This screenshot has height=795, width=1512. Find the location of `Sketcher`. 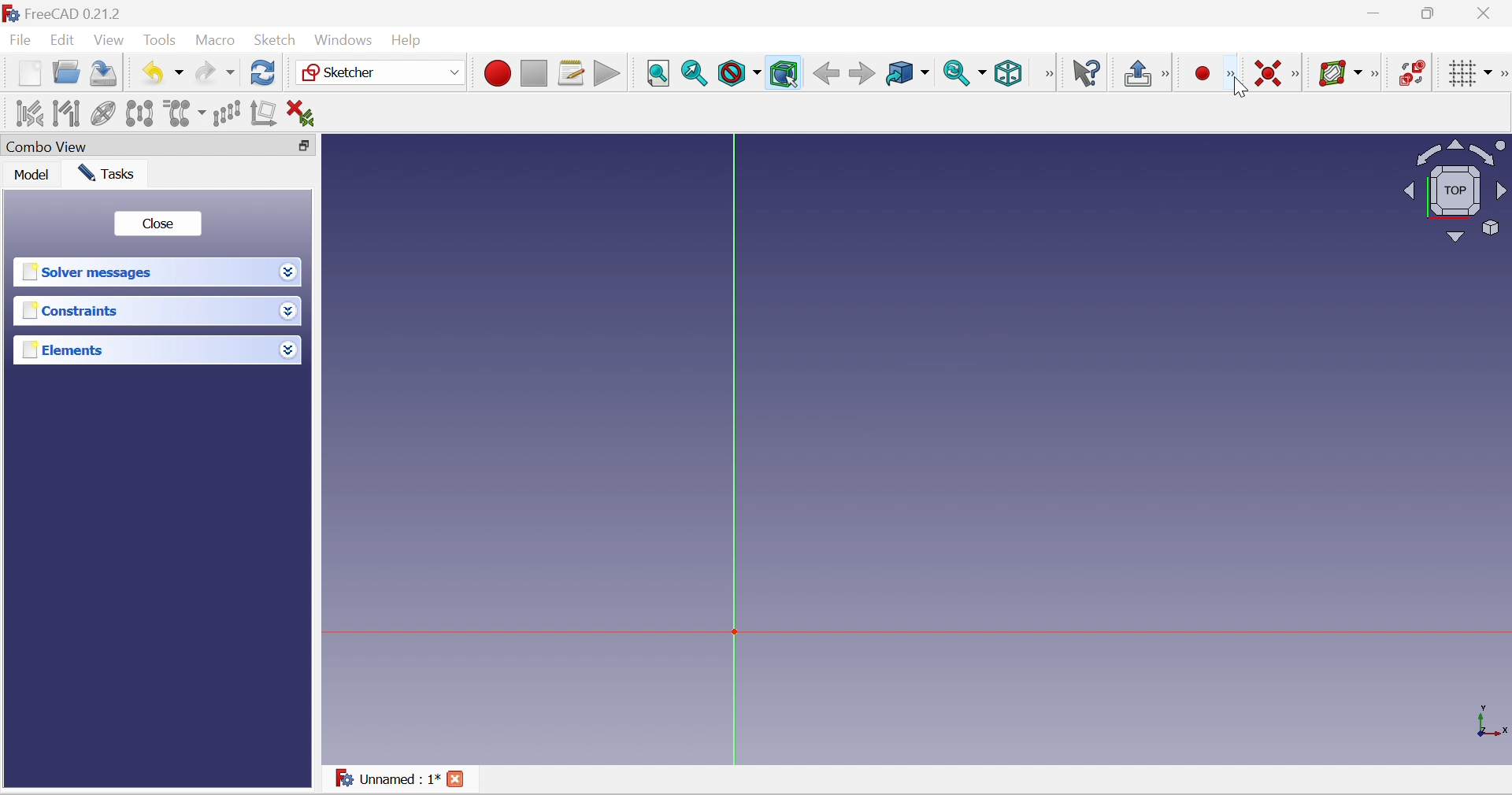

Sketcher is located at coordinates (381, 72).